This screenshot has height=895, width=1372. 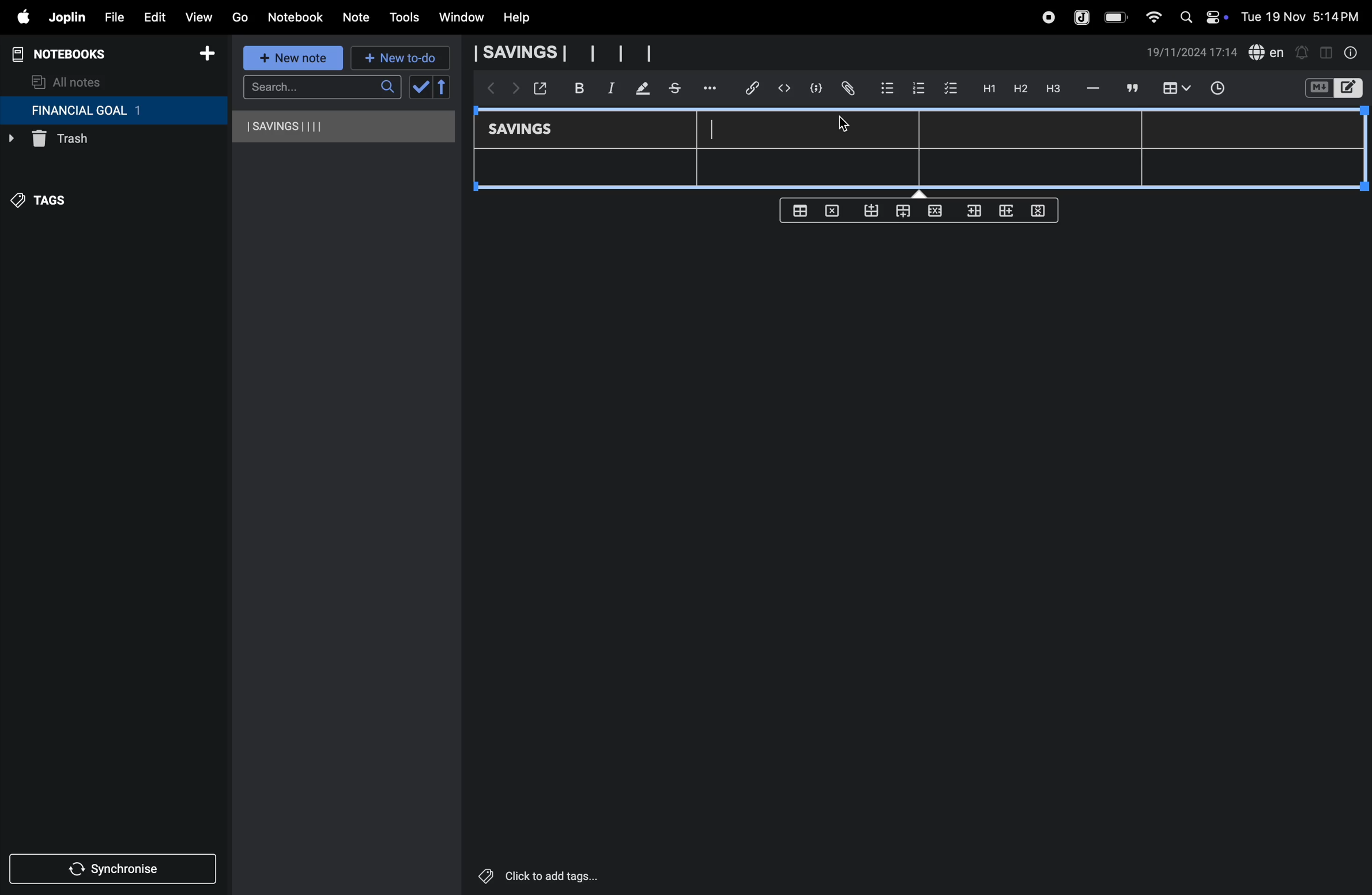 What do you see at coordinates (900, 212) in the screenshot?
I see `from top` at bounding box center [900, 212].